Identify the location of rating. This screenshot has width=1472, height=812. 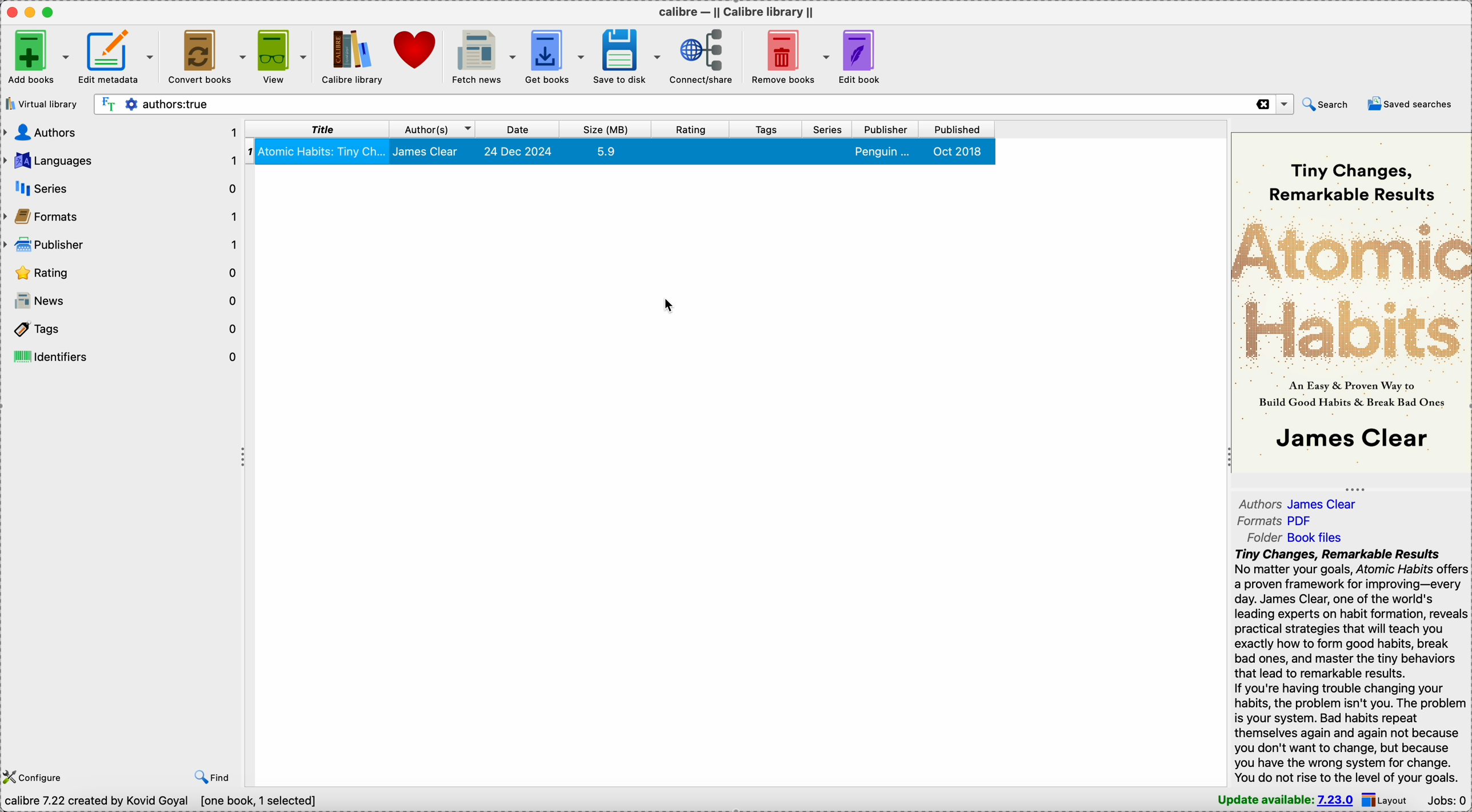
(690, 129).